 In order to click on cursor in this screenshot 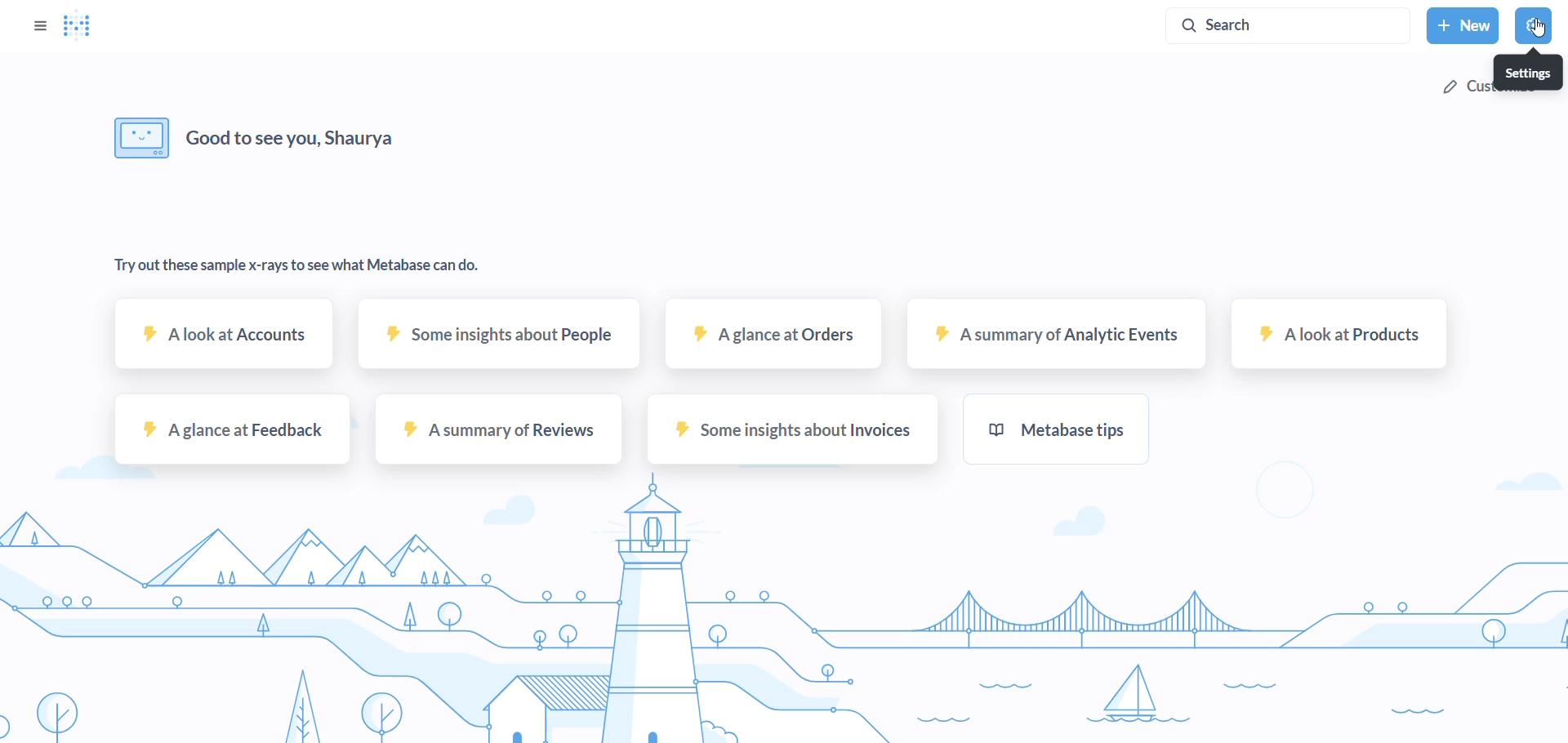, I will do `click(1541, 26)`.